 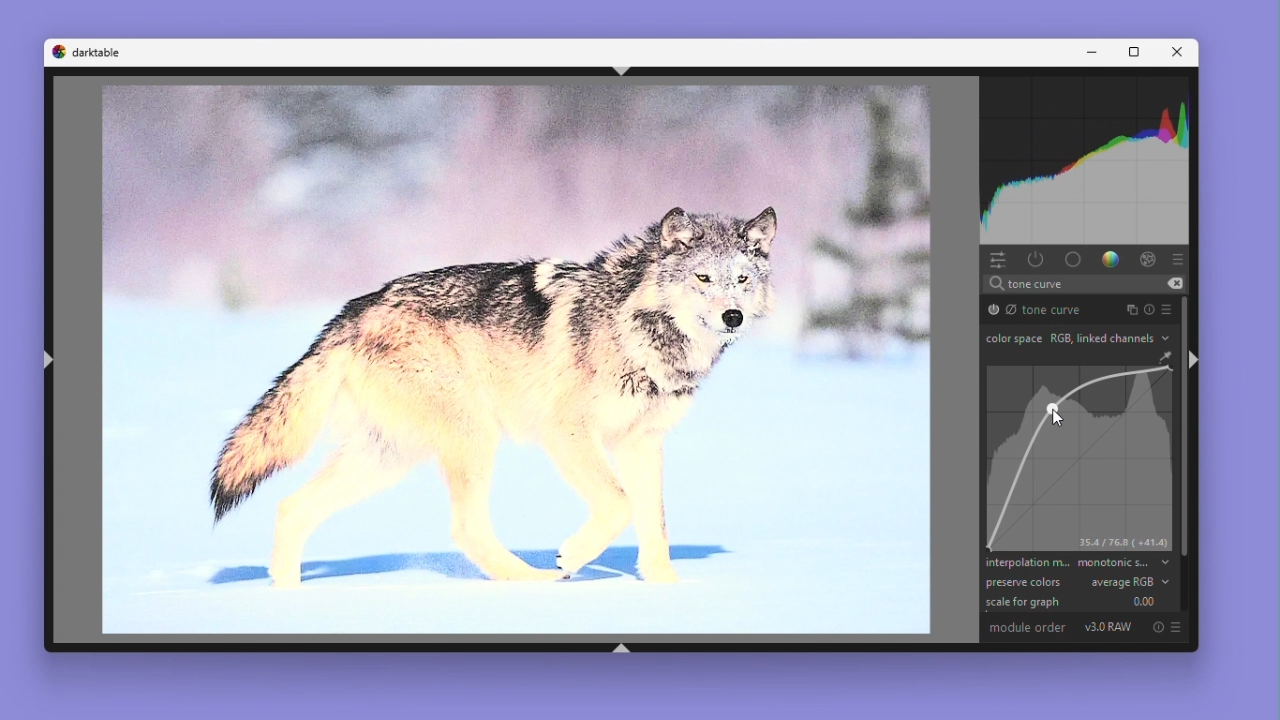 I want to click on erase, so click(x=1174, y=284).